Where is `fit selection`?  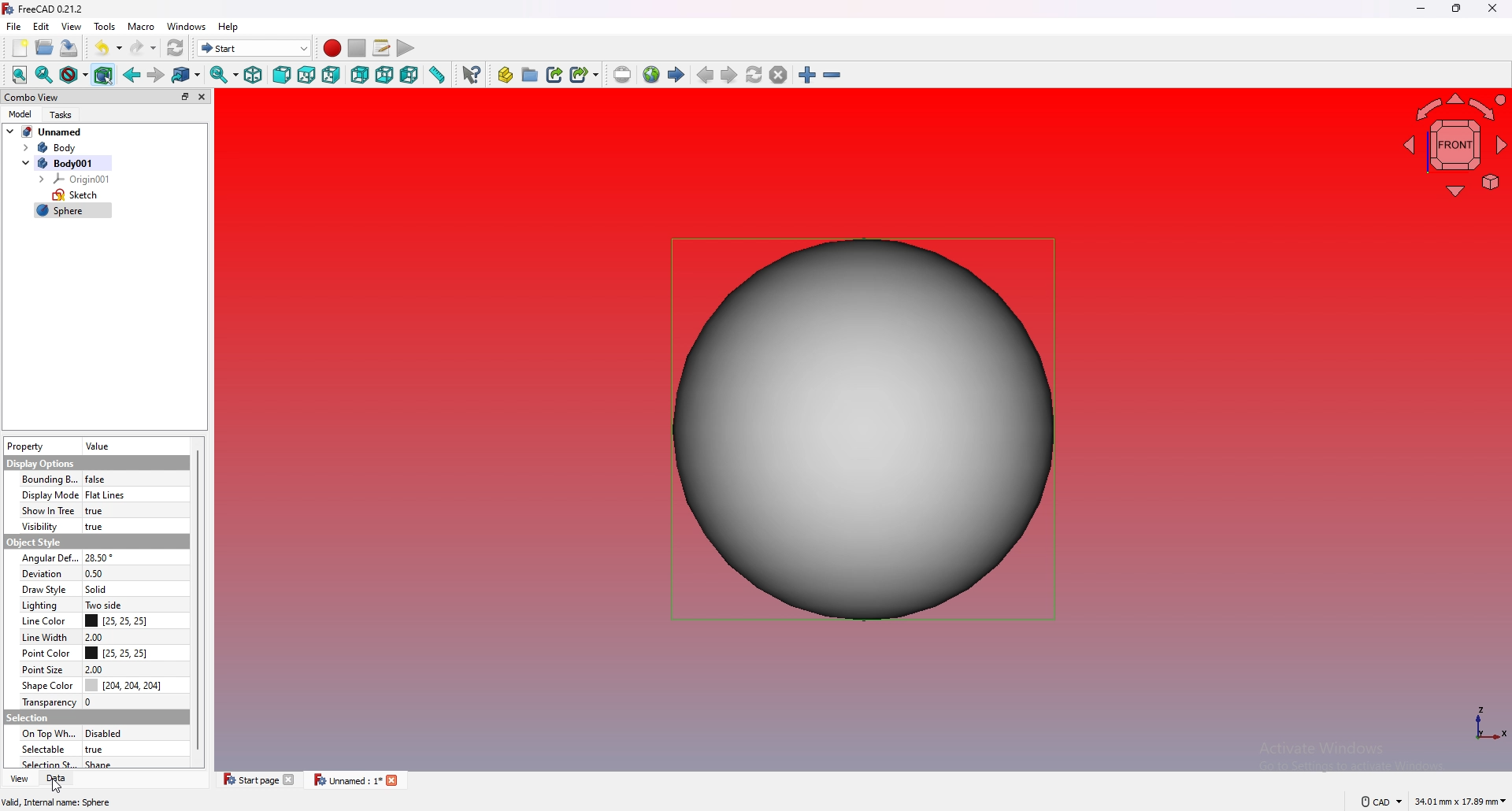 fit selection is located at coordinates (44, 76).